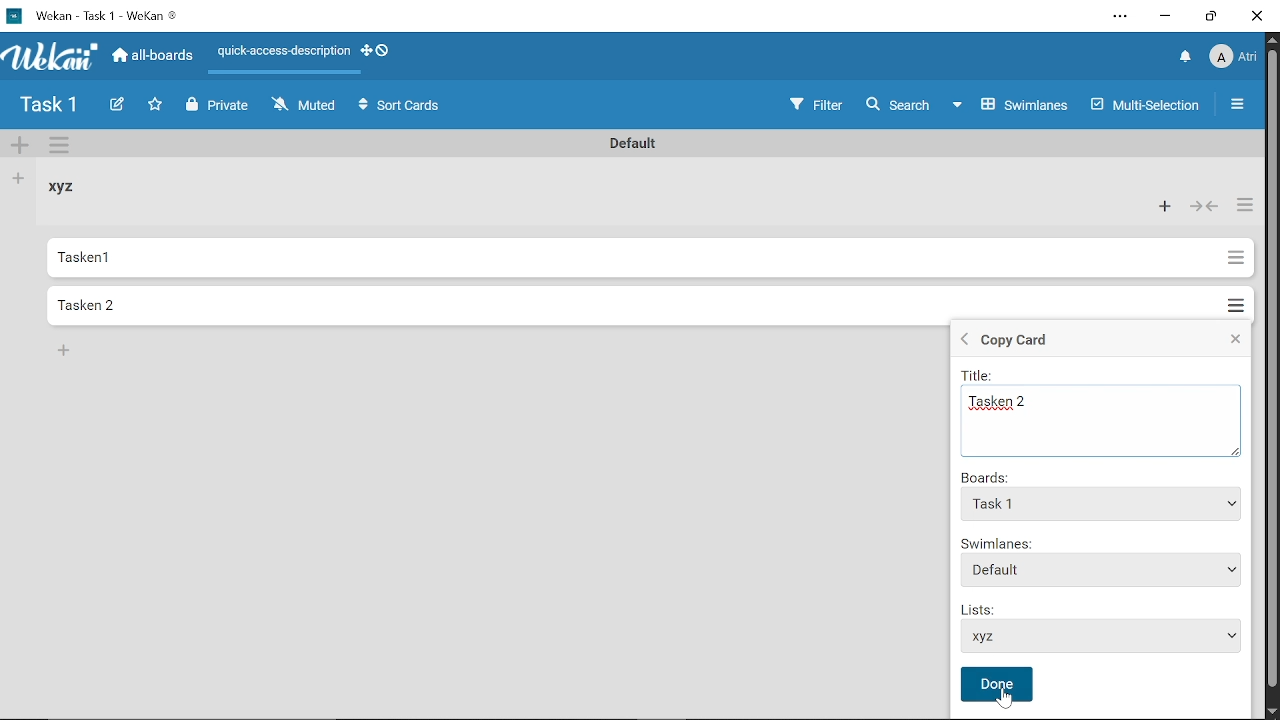  What do you see at coordinates (1208, 17) in the screenshot?
I see `Restore down` at bounding box center [1208, 17].